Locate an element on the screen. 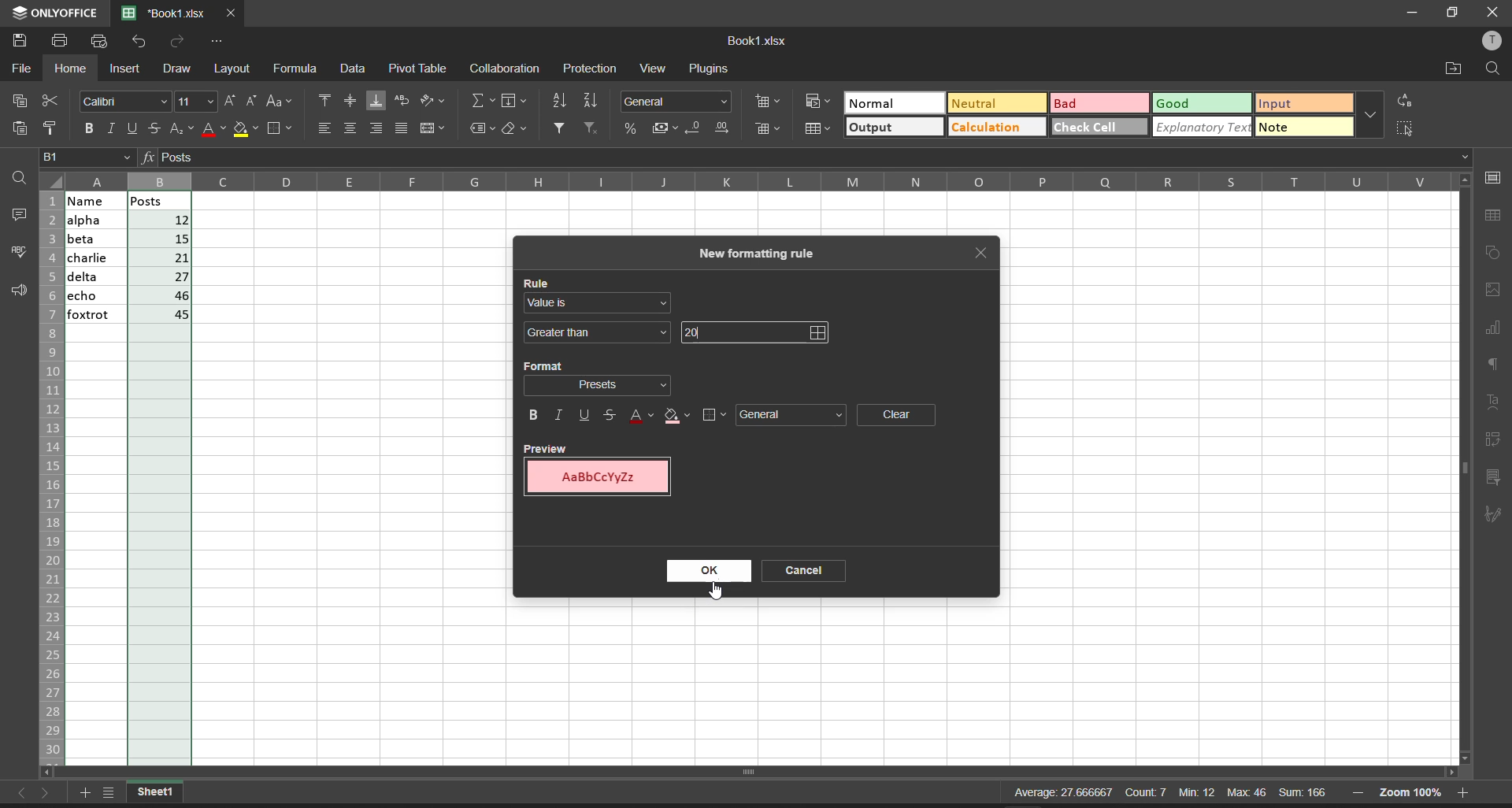 Image resolution: width=1512 pixels, height=808 pixels. value is is located at coordinates (600, 305).